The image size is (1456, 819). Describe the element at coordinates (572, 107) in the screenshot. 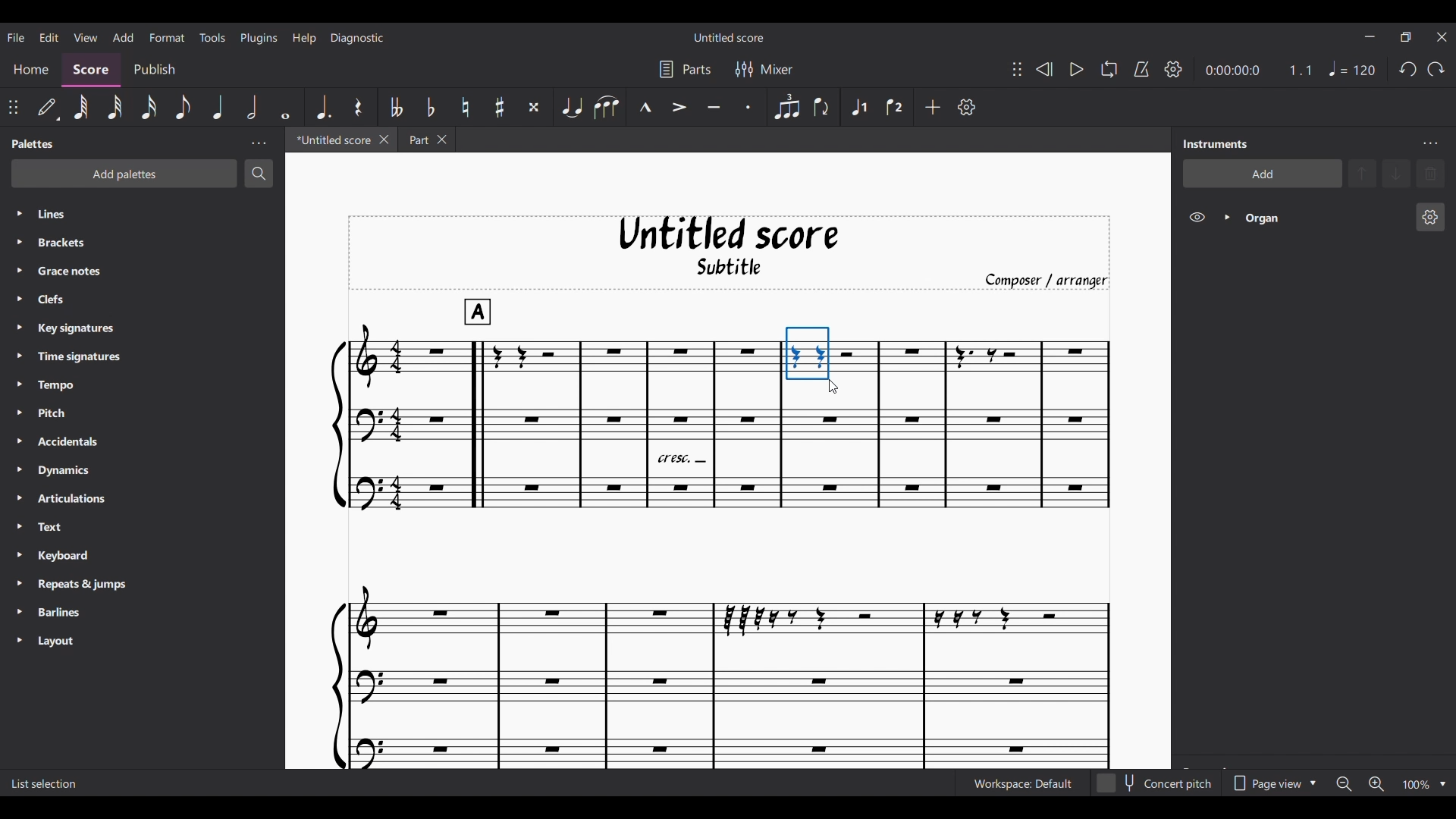

I see `Tie` at that location.